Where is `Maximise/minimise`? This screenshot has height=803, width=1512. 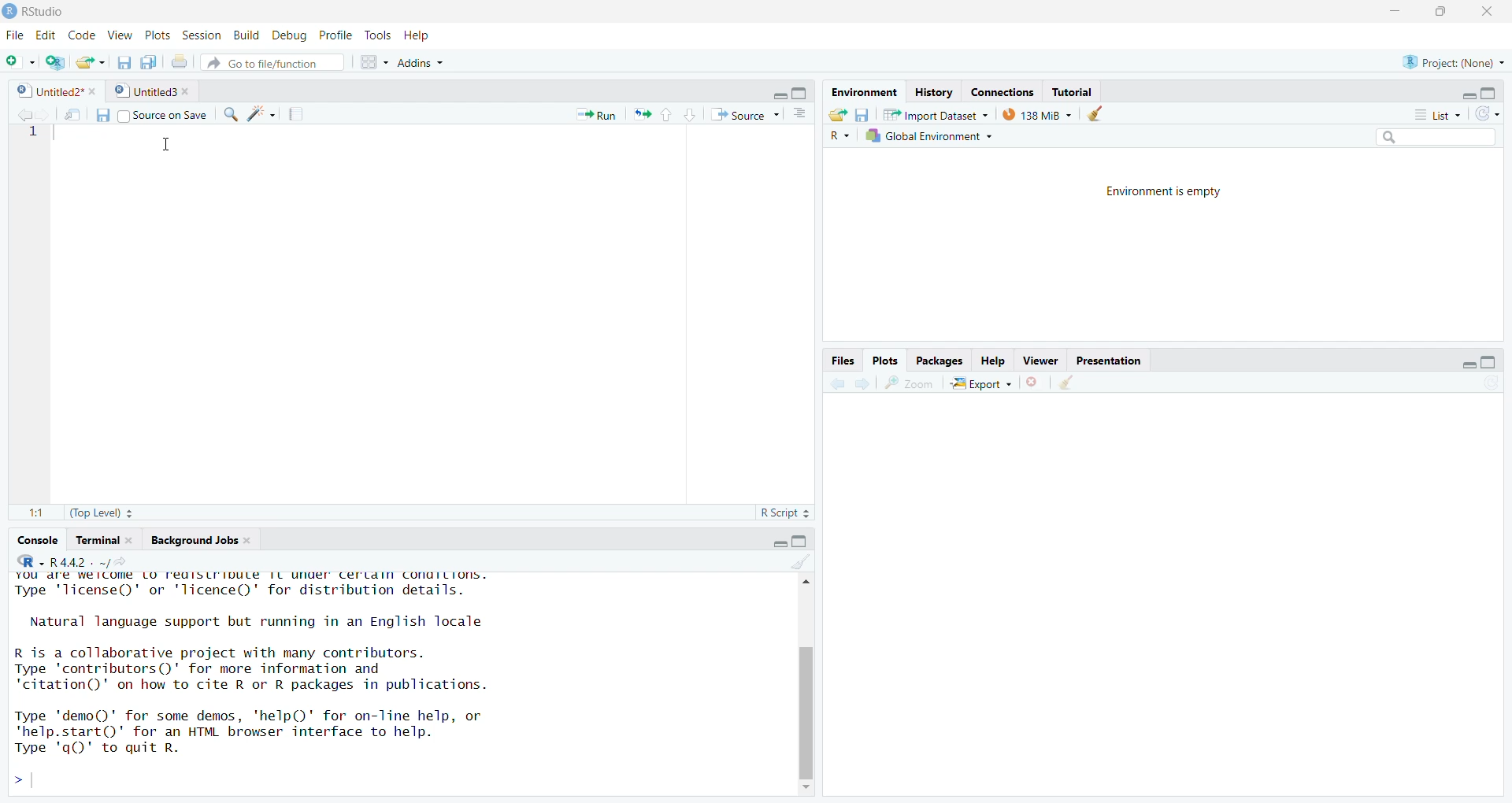
Maximise/minimise is located at coordinates (779, 540).